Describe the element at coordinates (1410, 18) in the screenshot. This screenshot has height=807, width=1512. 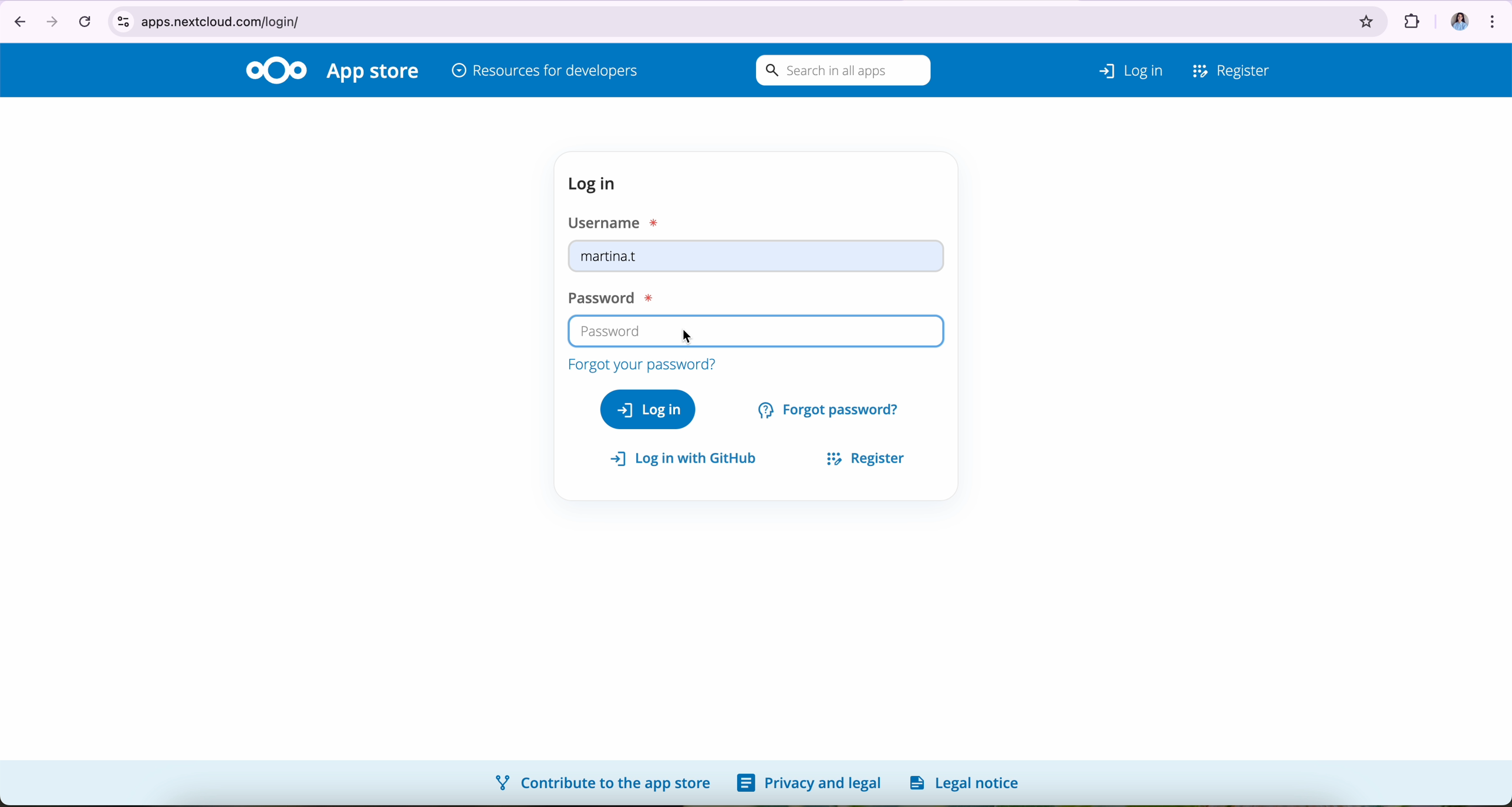
I see `extensions` at that location.